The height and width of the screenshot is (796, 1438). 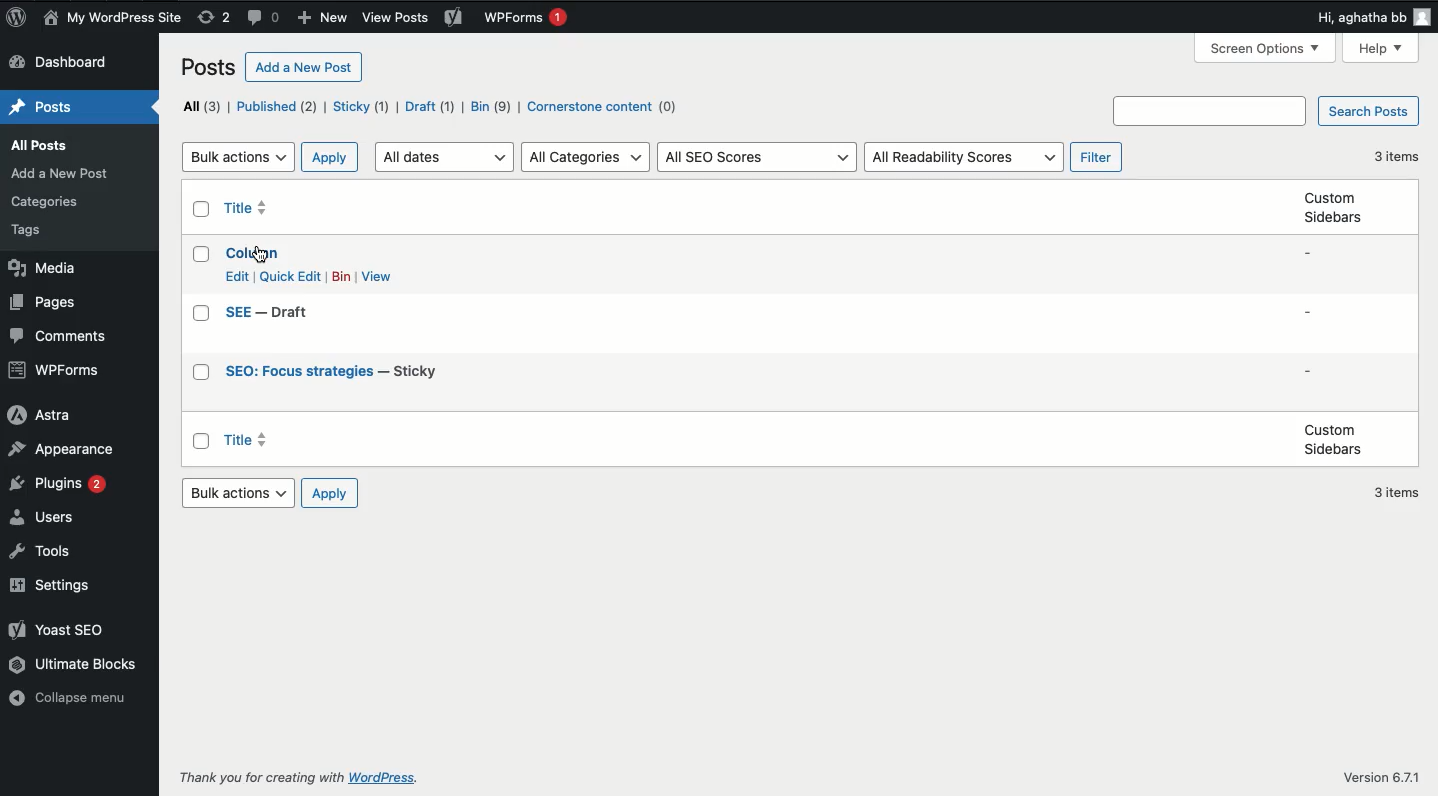 I want to click on All SEO scores, so click(x=758, y=157).